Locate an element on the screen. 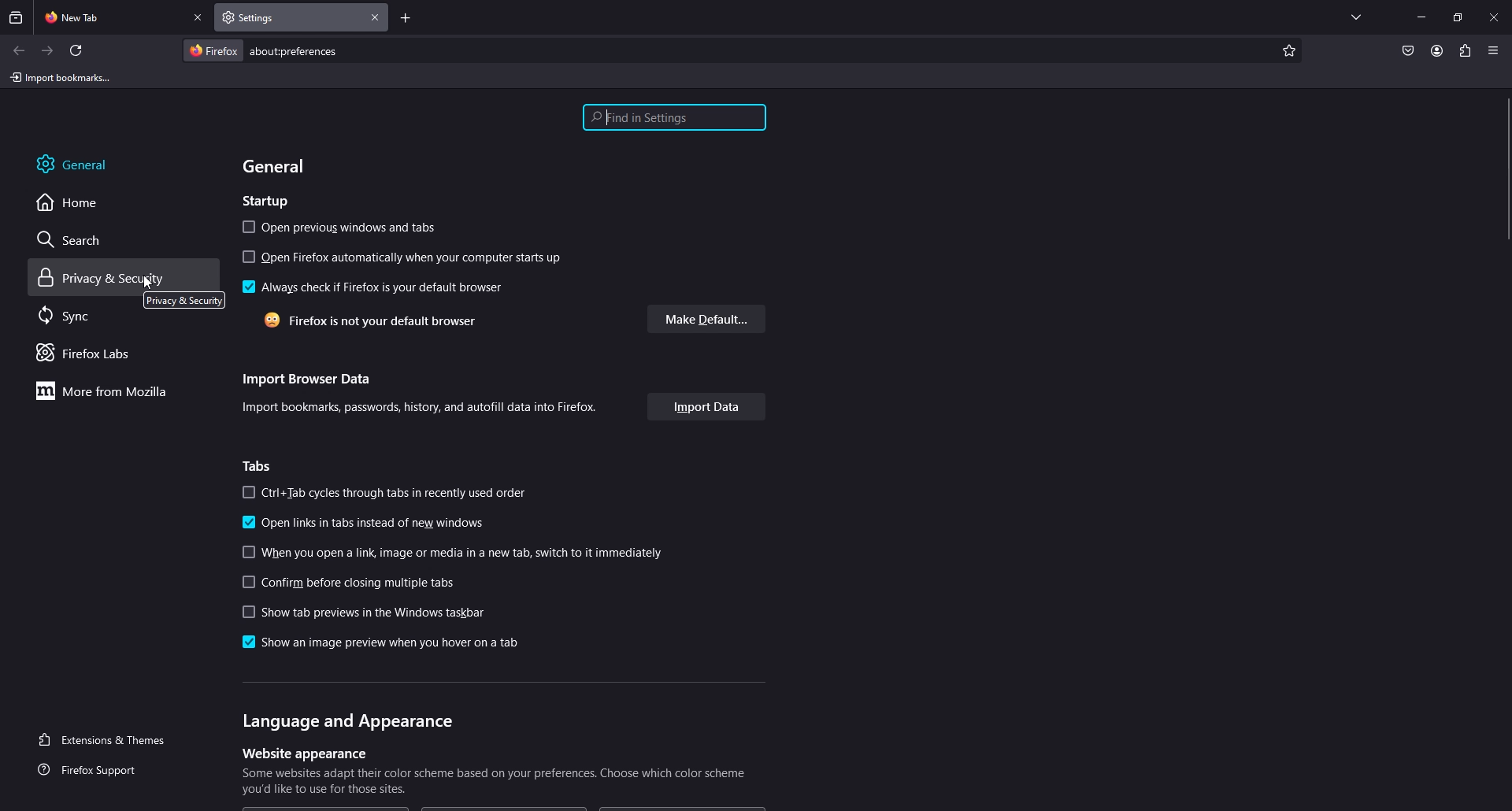 This screenshot has height=811, width=1512. settings tab is located at coordinates (269, 17).